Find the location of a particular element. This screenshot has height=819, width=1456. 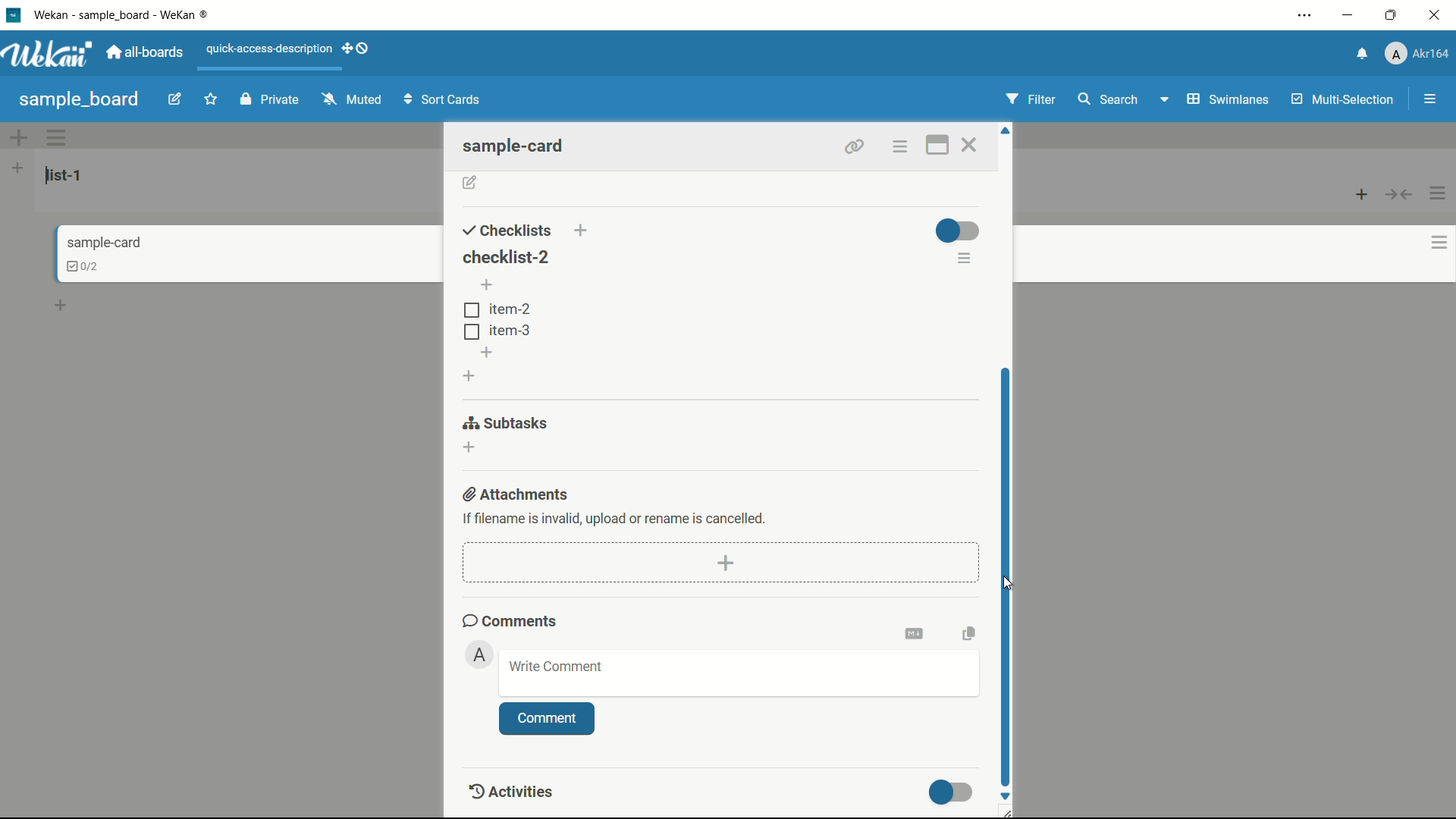

list name is located at coordinates (67, 175).